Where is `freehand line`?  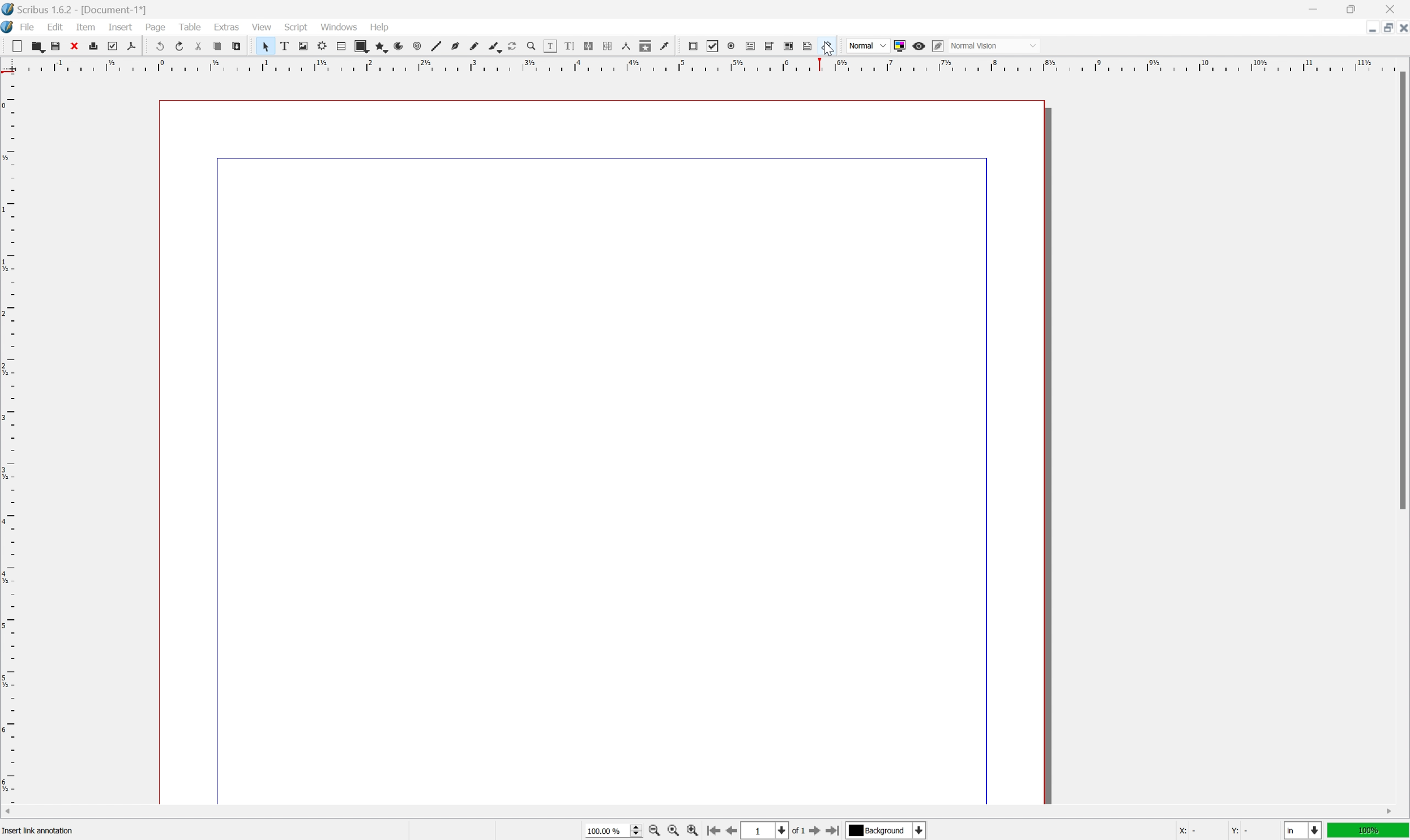
freehand line is located at coordinates (474, 47).